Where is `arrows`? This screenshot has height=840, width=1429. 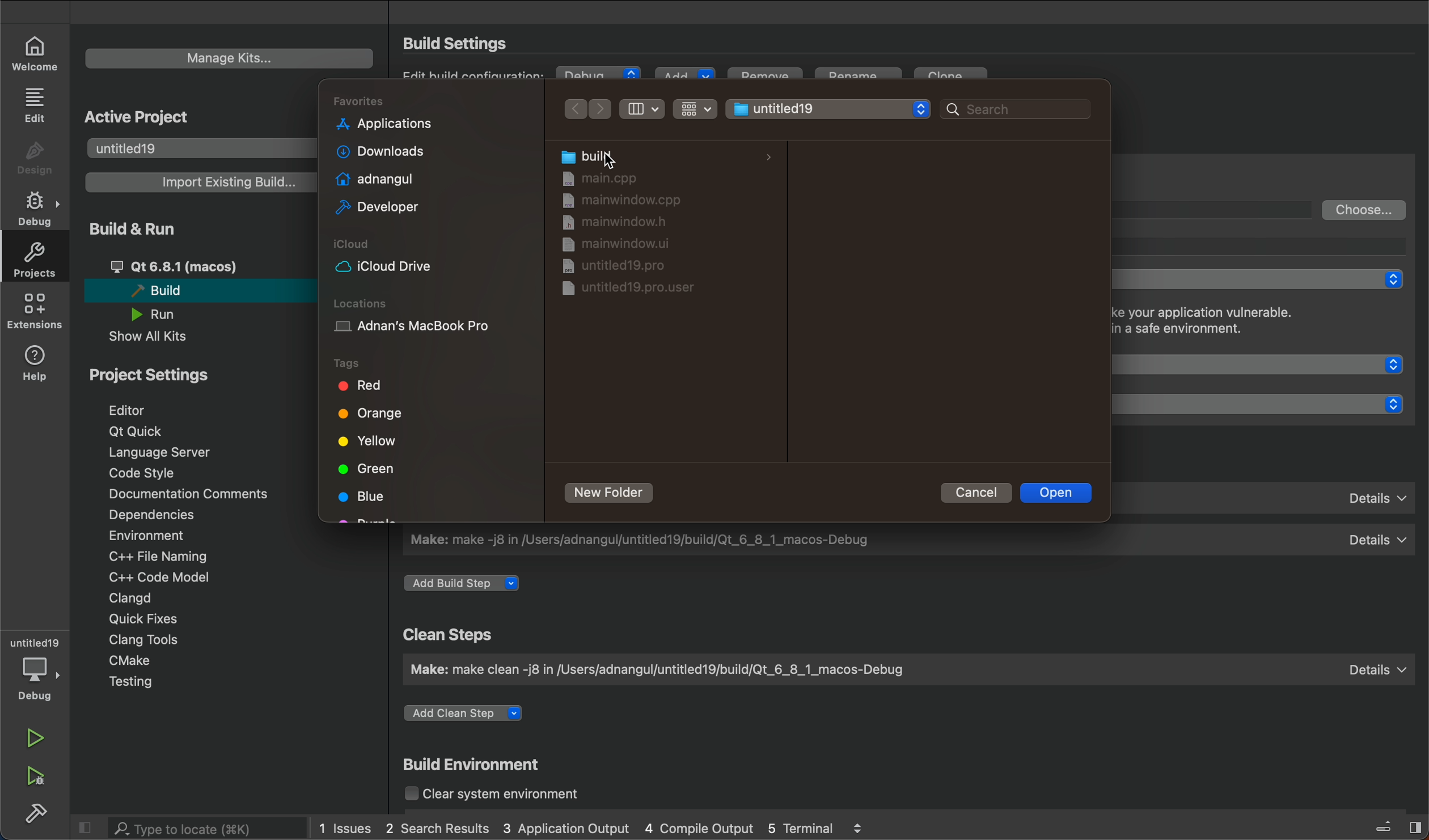 arrows is located at coordinates (591, 108).